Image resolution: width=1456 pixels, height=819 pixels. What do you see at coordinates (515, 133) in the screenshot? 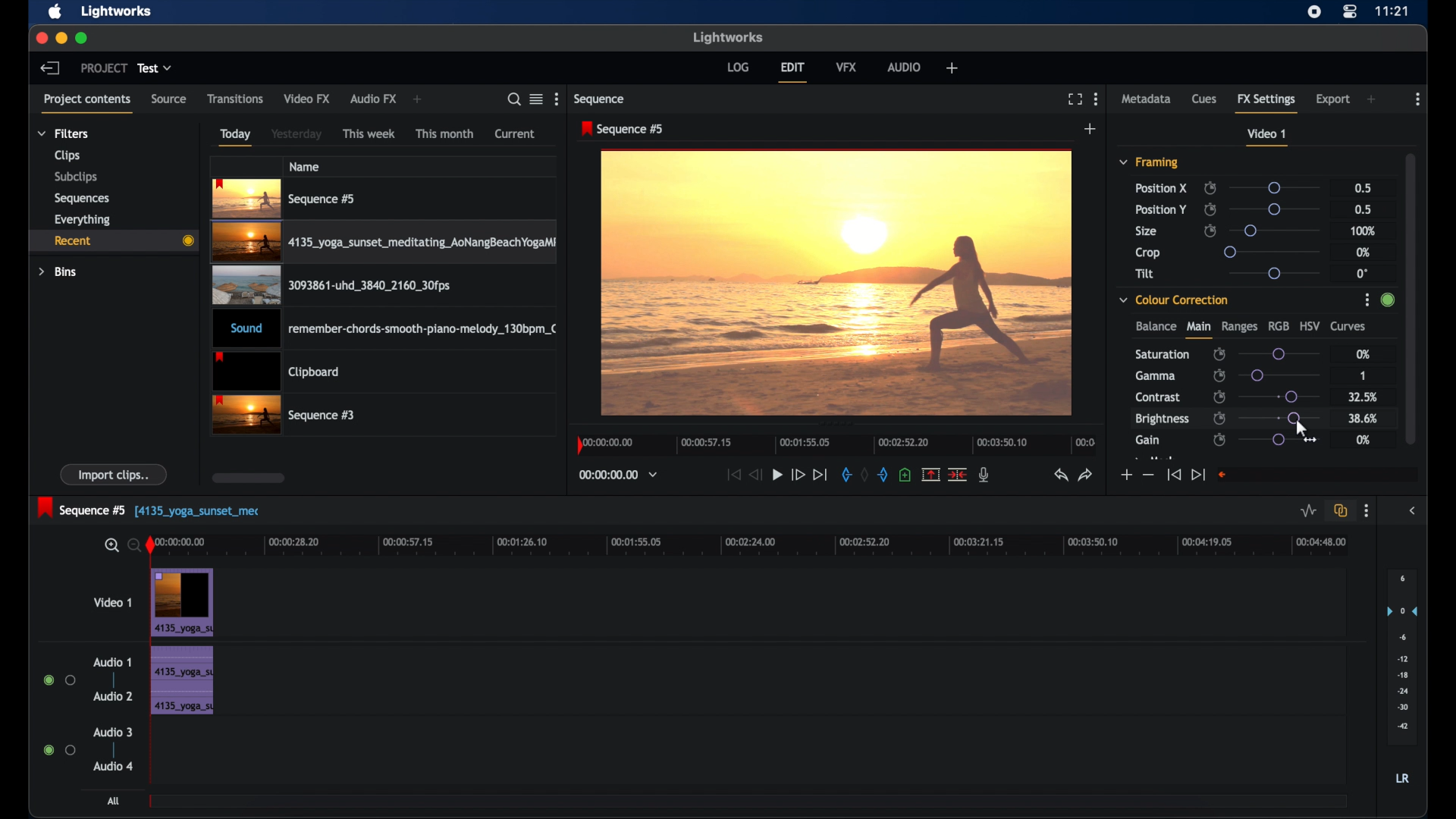
I see `current` at bounding box center [515, 133].